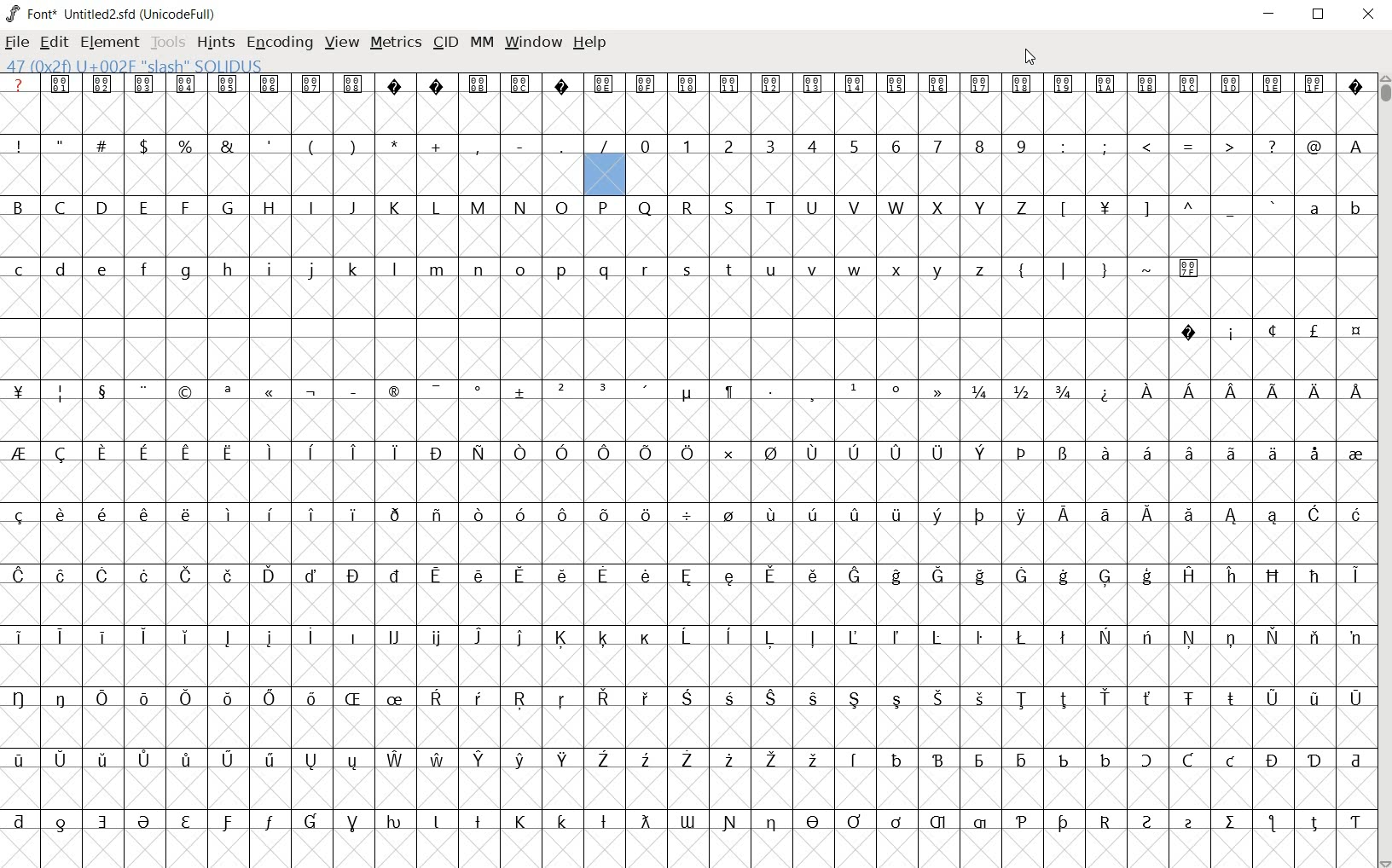 The height and width of the screenshot is (868, 1392). What do you see at coordinates (480, 42) in the screenshot?
I see `MM` at bounding box center [480, 42].